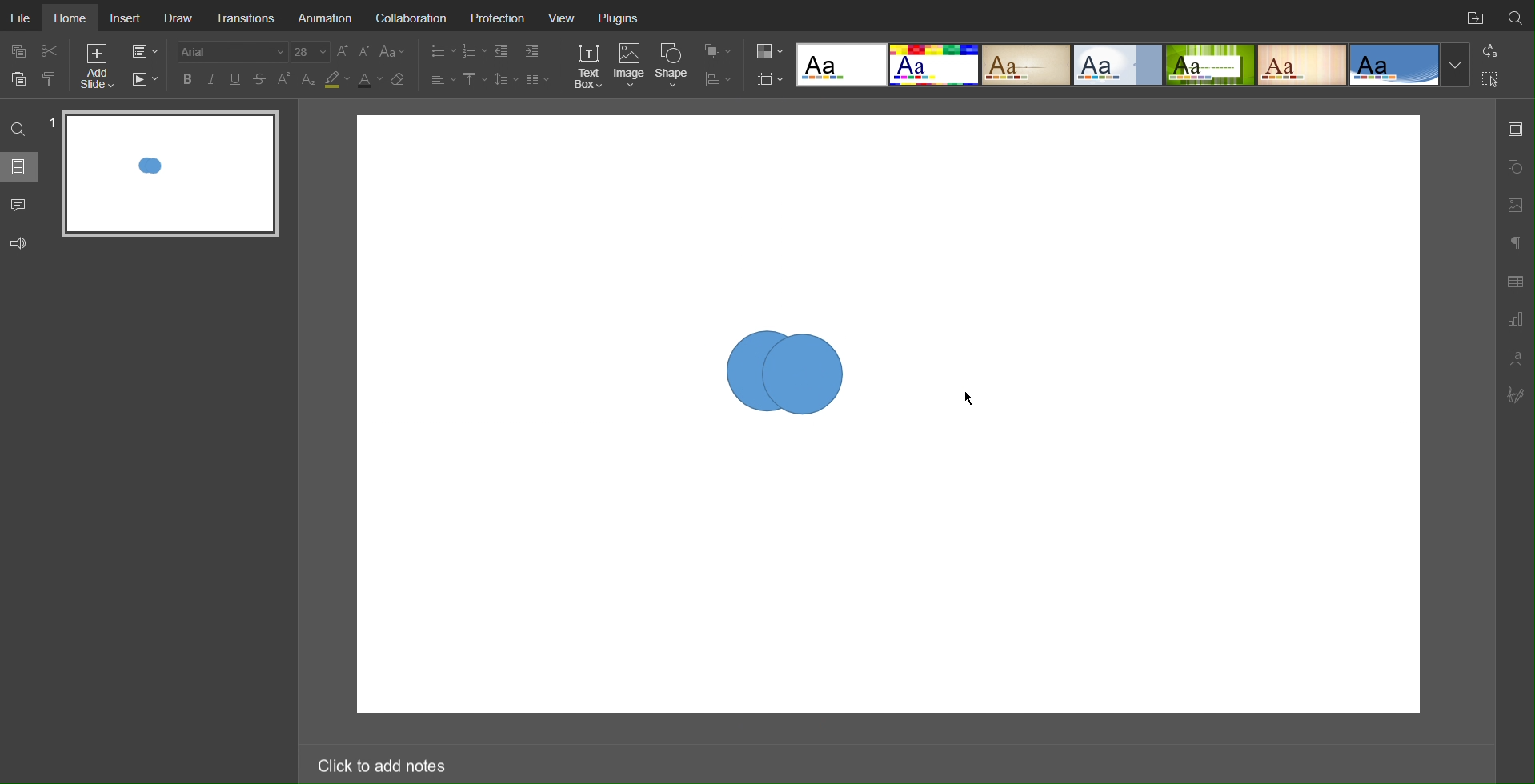  I want to click on Search, so click(18, 128).